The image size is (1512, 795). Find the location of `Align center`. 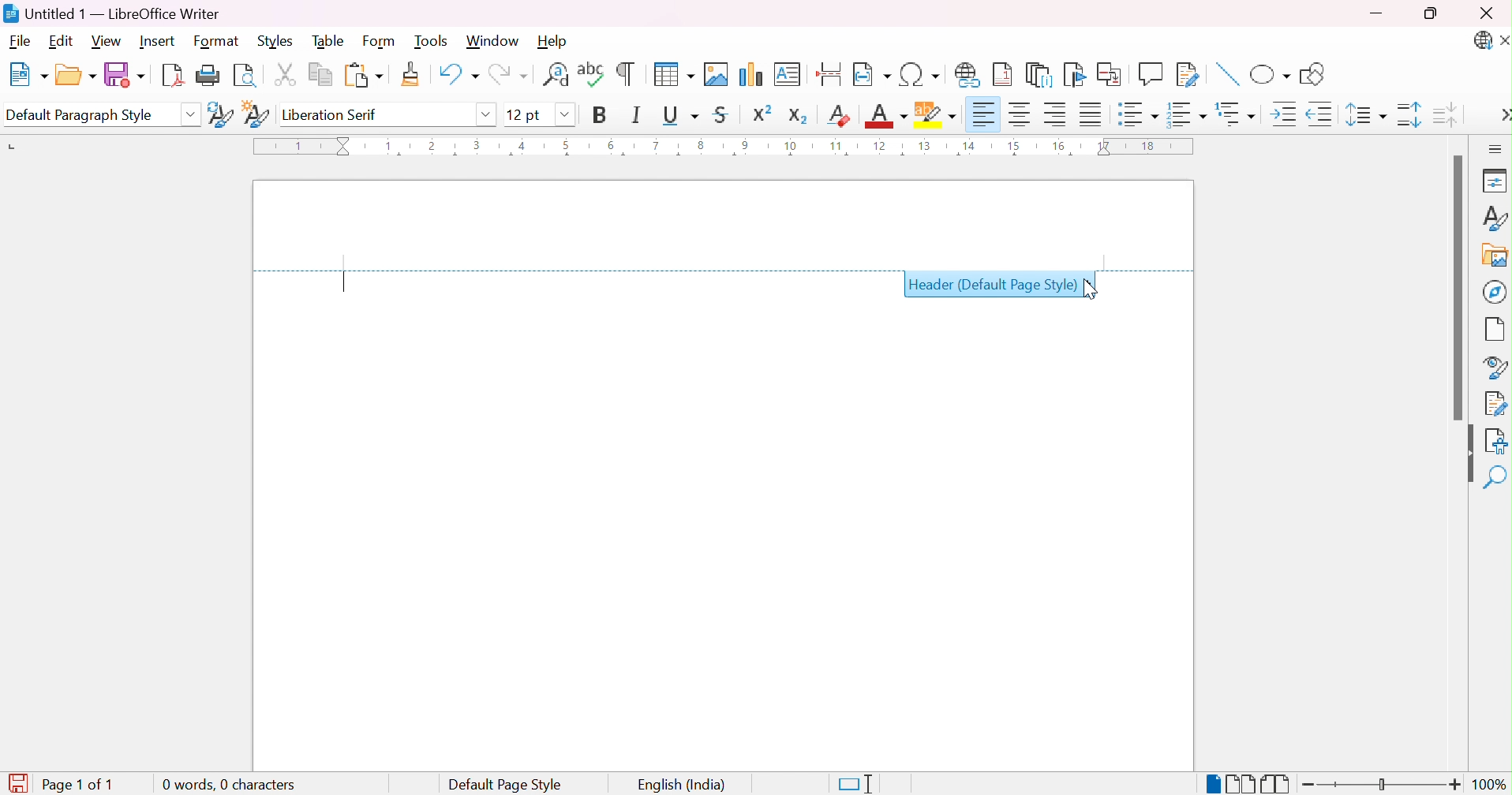

Align center is located at coordinates (1020, 114).